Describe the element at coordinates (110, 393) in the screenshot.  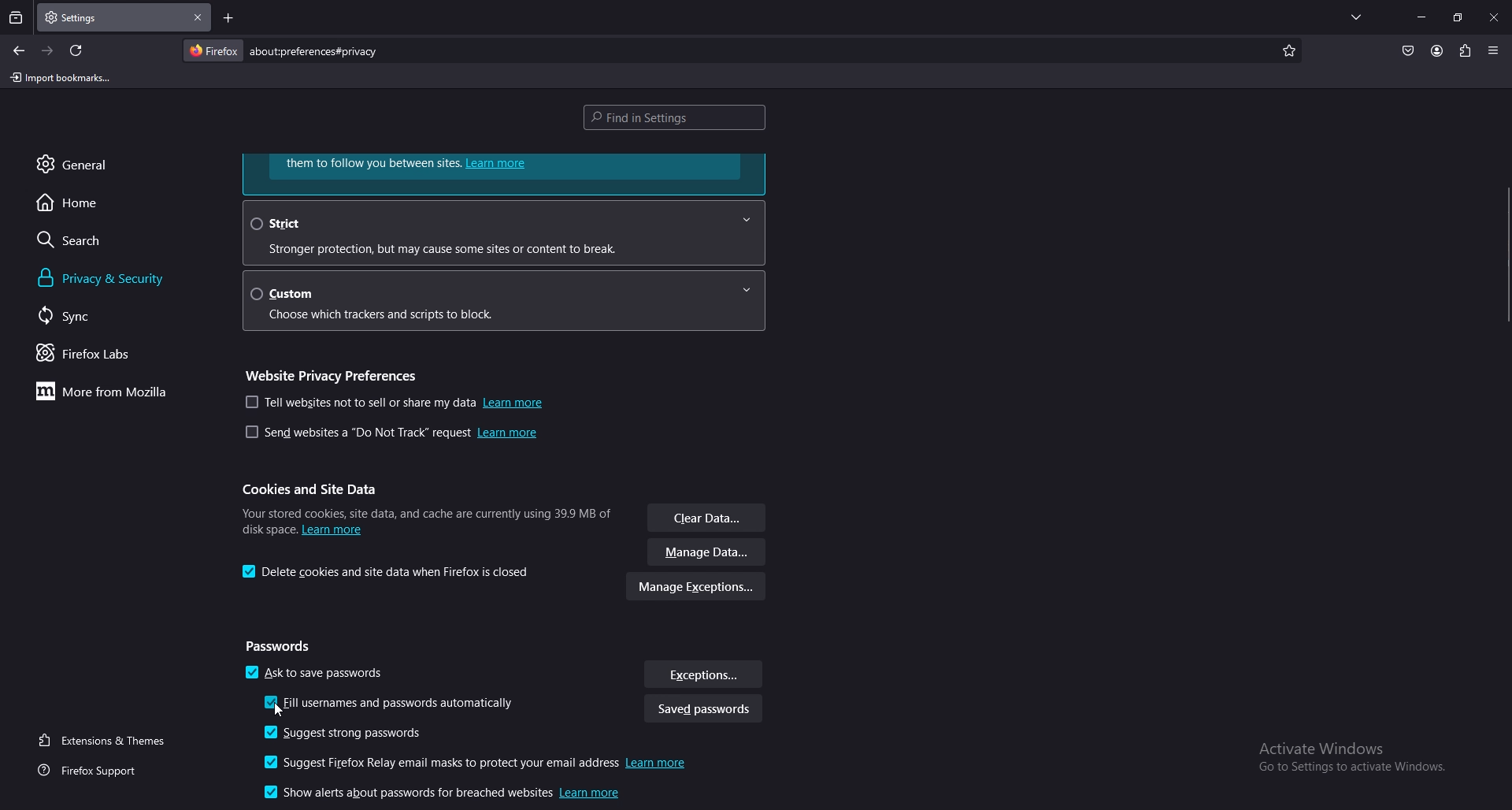
I see `more from mozilla` at that location.